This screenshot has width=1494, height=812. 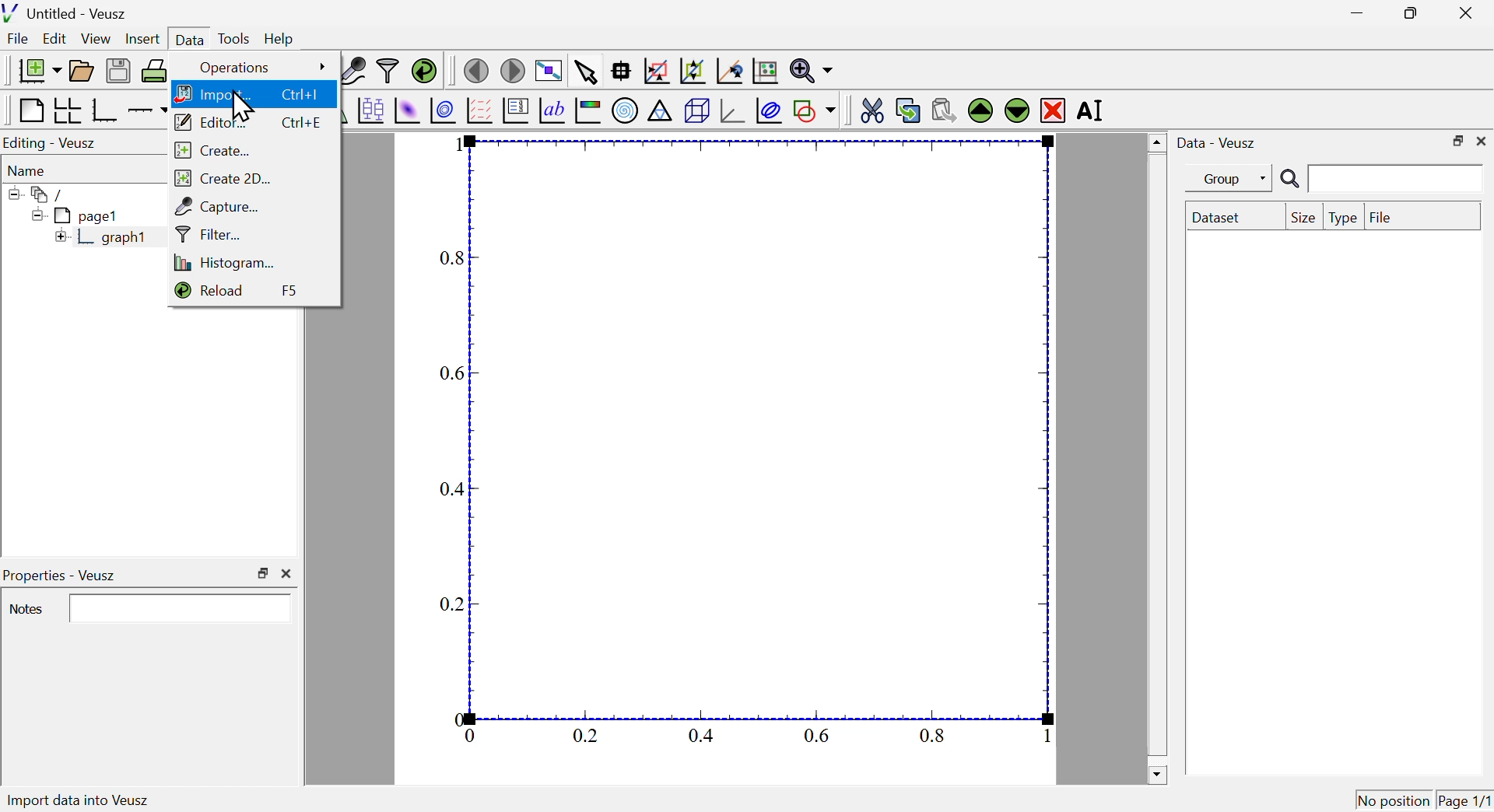 What do you see at coordinates (103, 238) in the screenshot?
I see `graph1` at bounding box center [103, 238].